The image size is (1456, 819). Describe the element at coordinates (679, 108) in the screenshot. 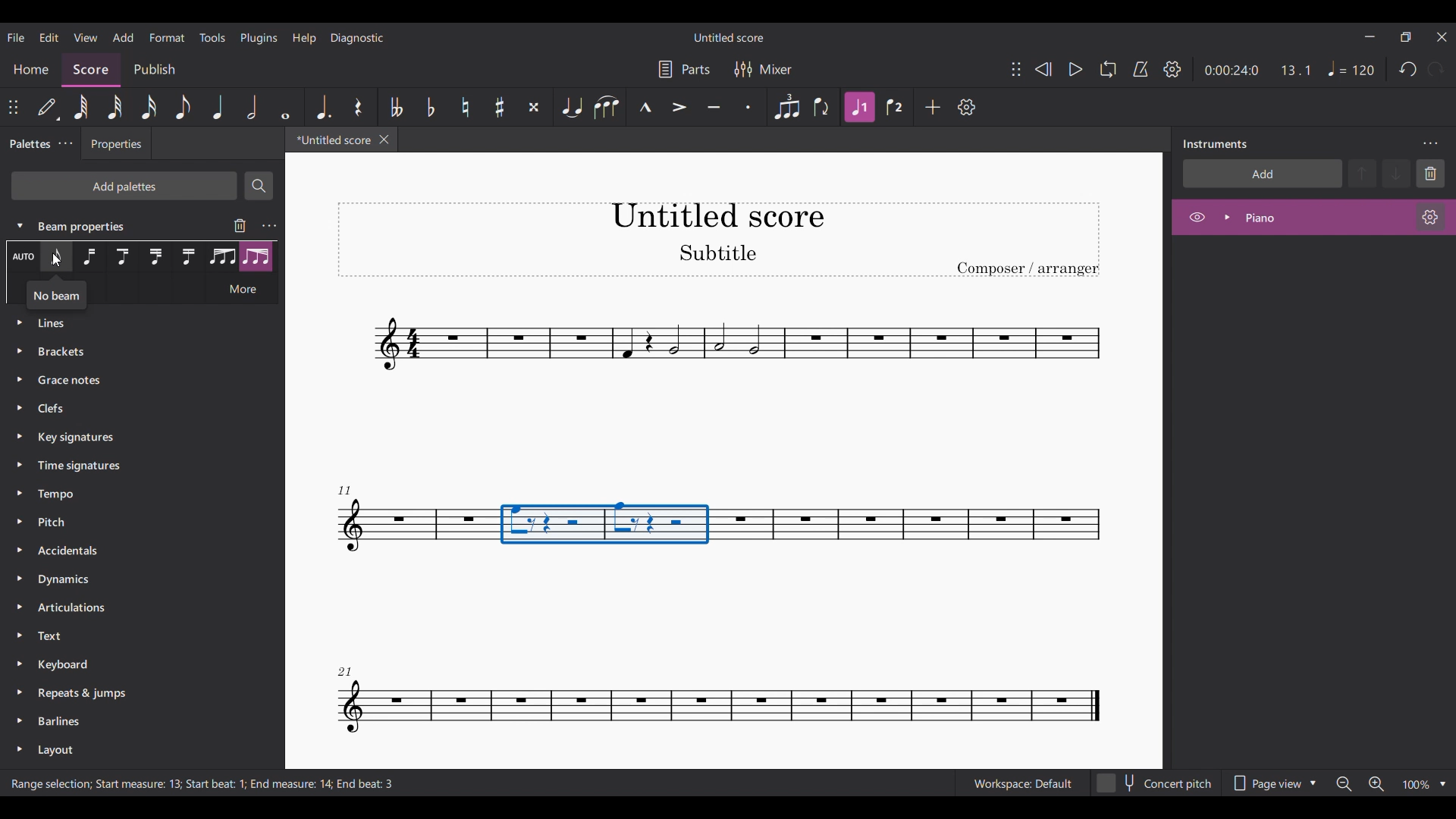

I see `Accent` at that location.